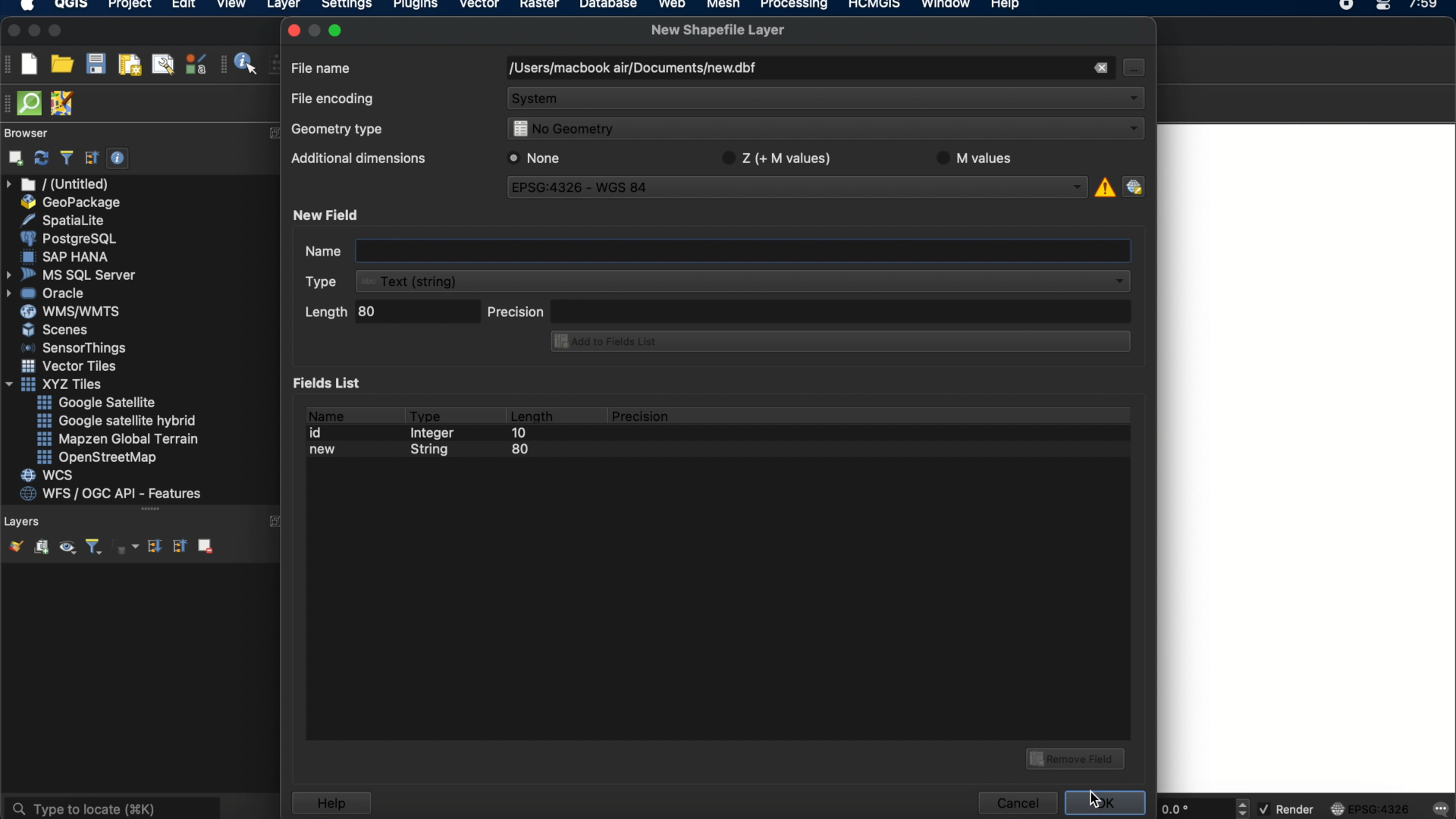 This screenshot has height=819, width=1456. What do you see at coordinates (322, 67) in the screenshot?
I see `file name` at bounding box center [322, 67].